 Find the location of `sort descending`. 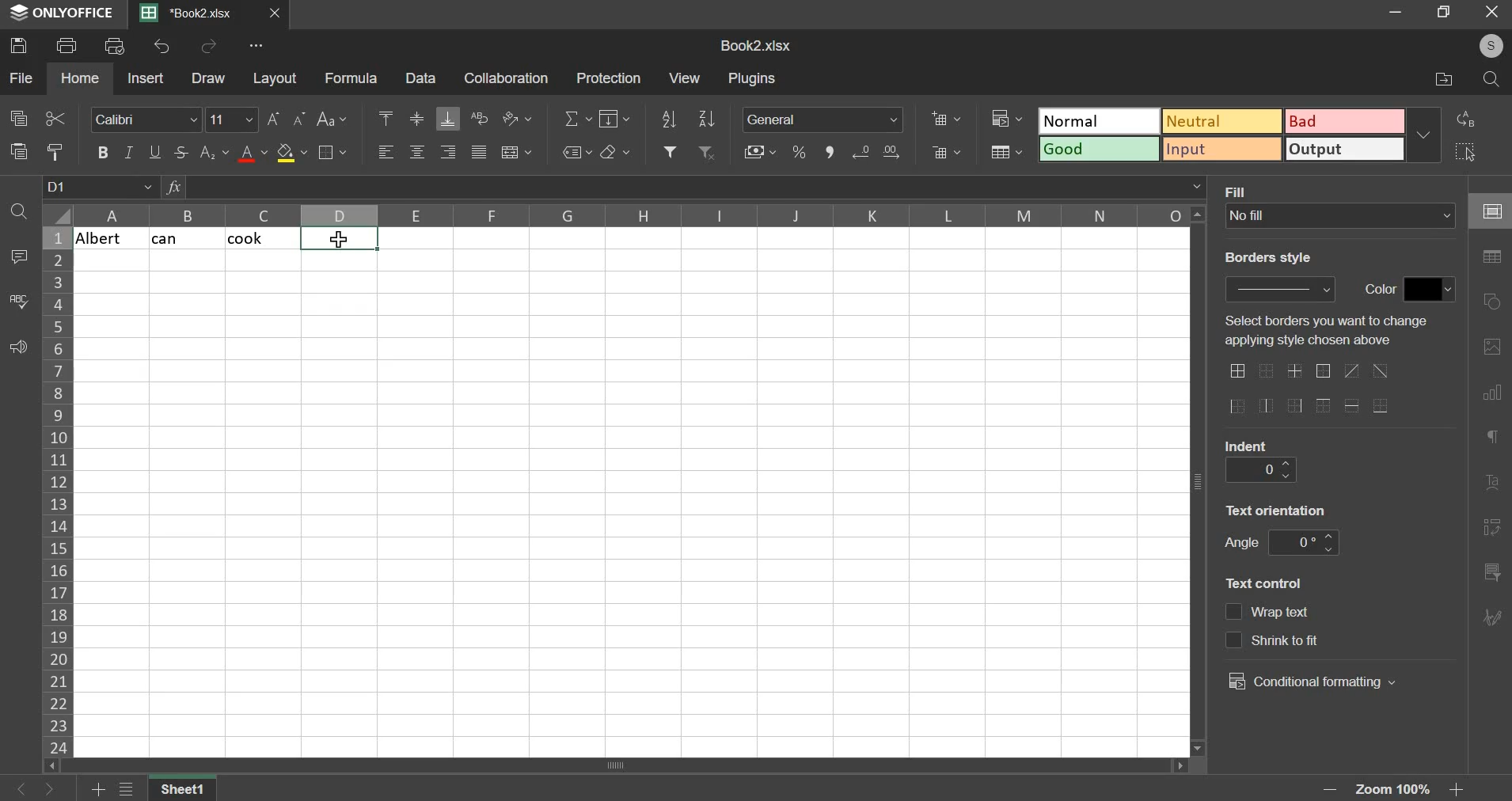

sort descending is located at coordinates (706, 118).